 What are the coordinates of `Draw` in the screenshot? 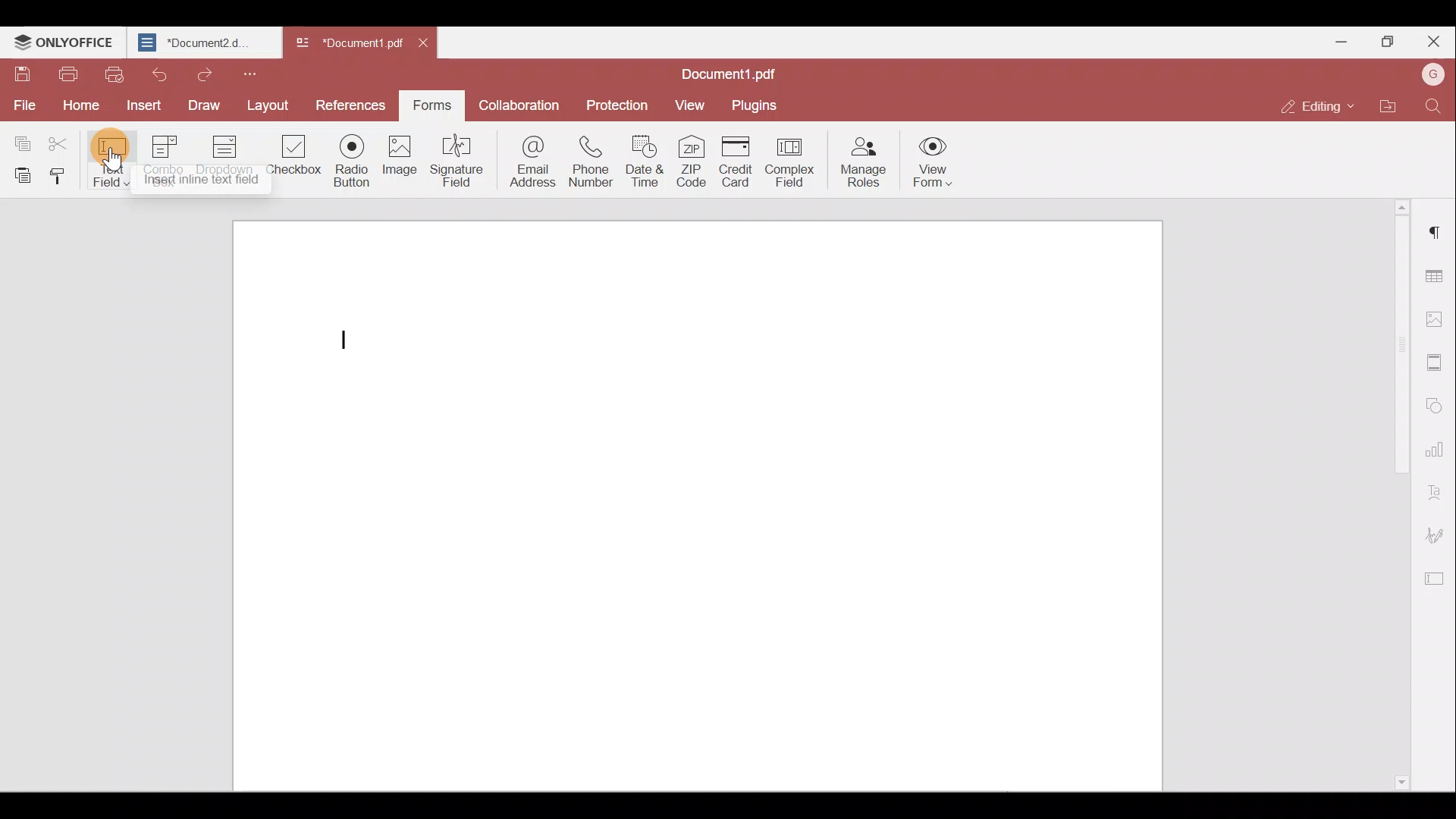 It's located at (199, 105).